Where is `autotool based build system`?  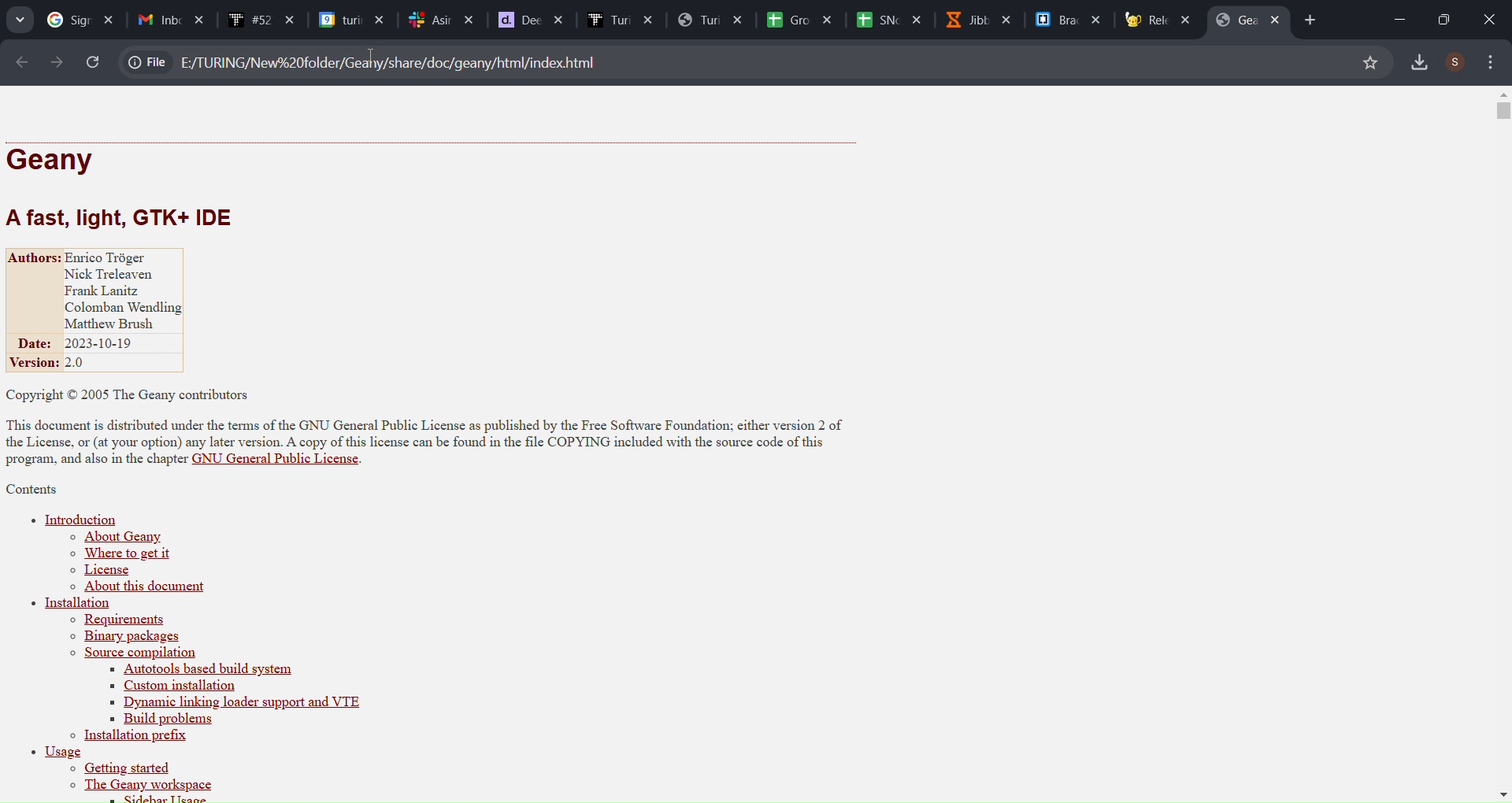
autotool based build system is located at coordinates (254, 670).